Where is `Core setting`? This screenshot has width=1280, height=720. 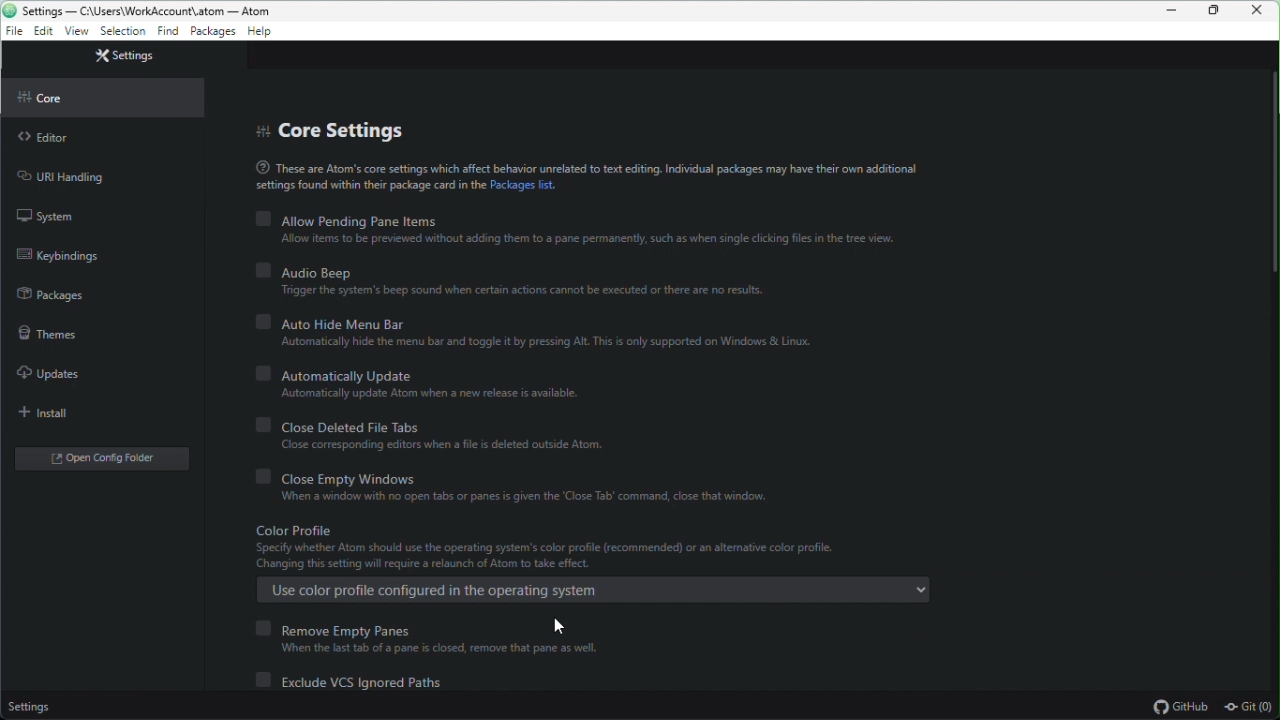 Core setting is located at coordinates (348, 129).